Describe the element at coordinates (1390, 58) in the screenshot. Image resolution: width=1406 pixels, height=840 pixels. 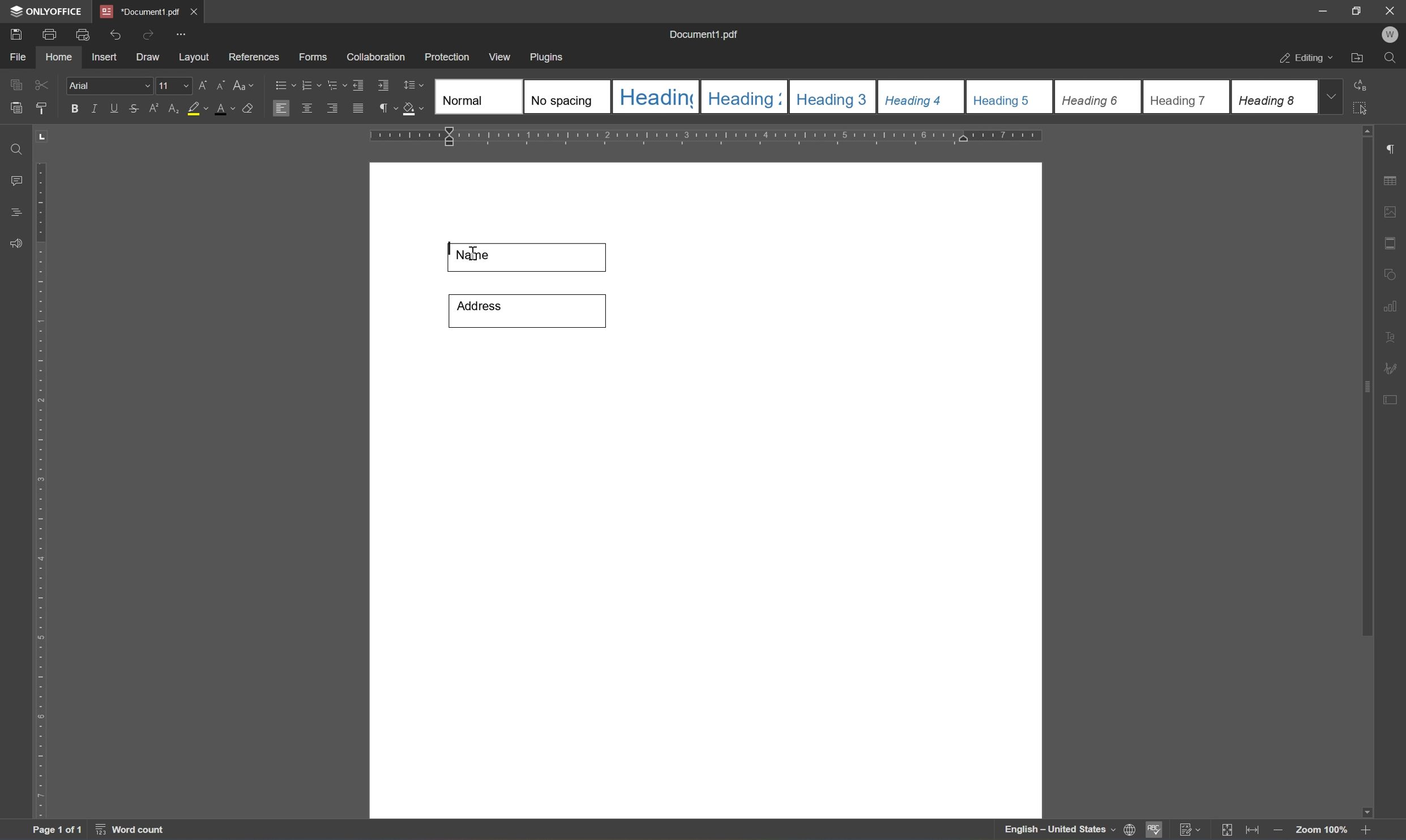
I see `find` at that location.